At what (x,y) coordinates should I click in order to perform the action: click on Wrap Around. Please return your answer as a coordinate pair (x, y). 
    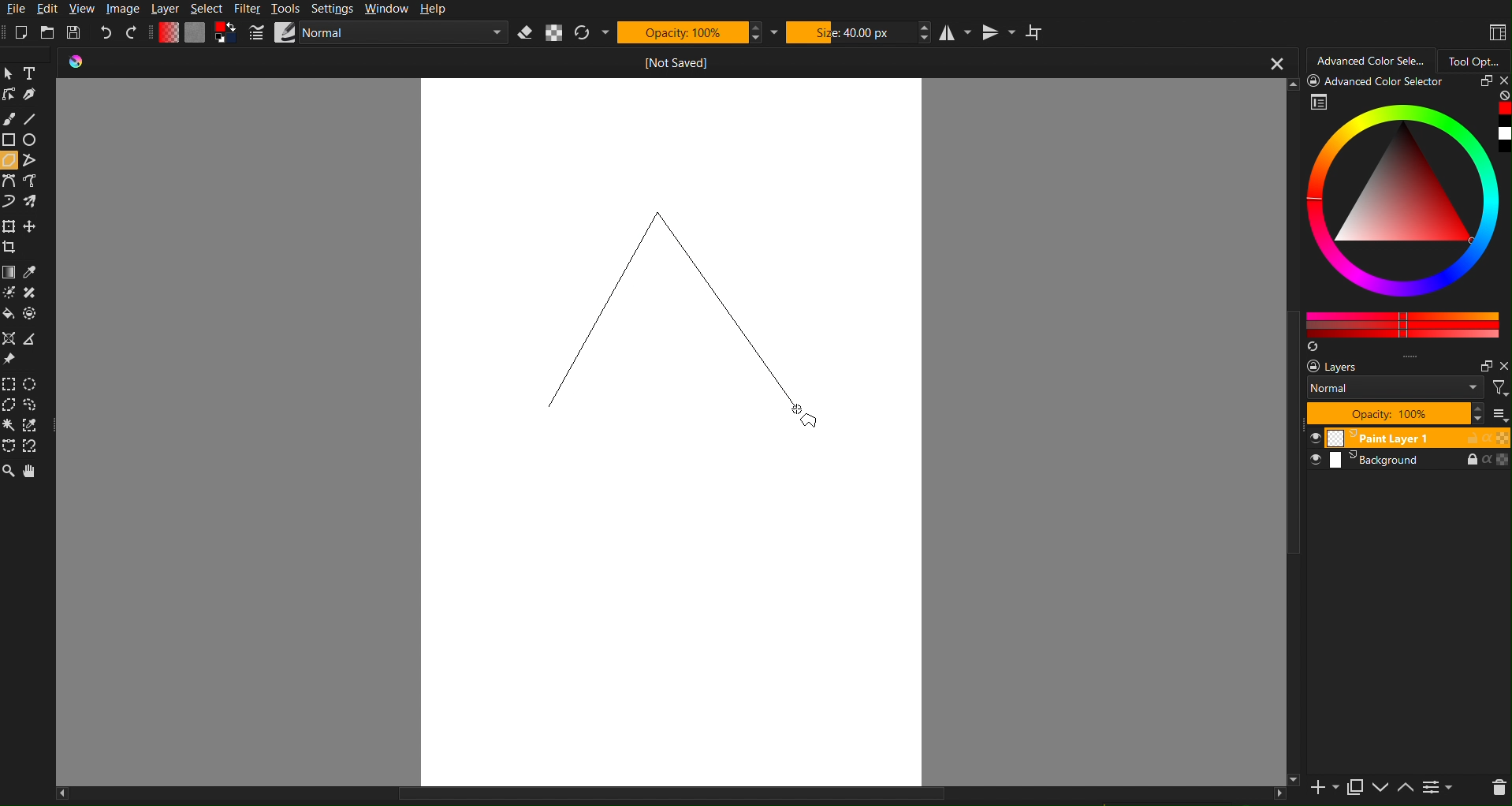
    Looking at the image, I should click on (1039, 33).